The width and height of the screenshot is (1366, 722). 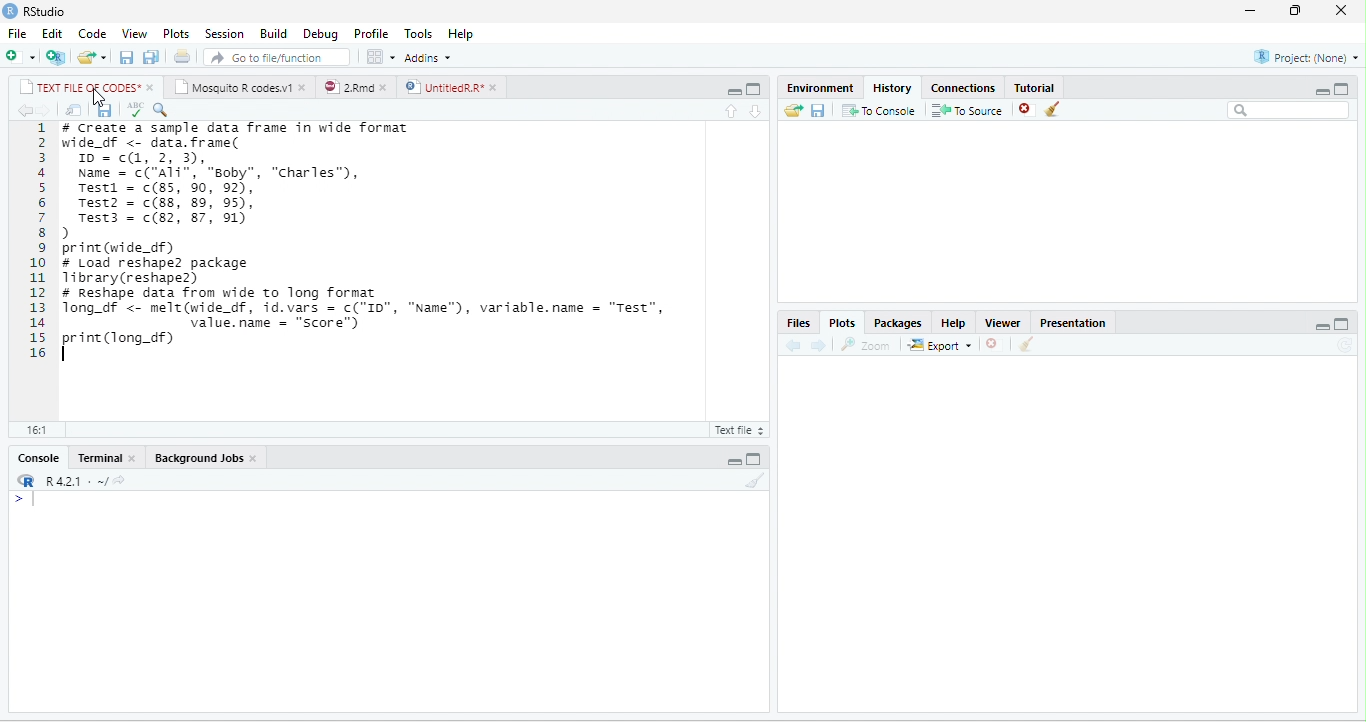 I want to click on back, so click(x=23, y=110).